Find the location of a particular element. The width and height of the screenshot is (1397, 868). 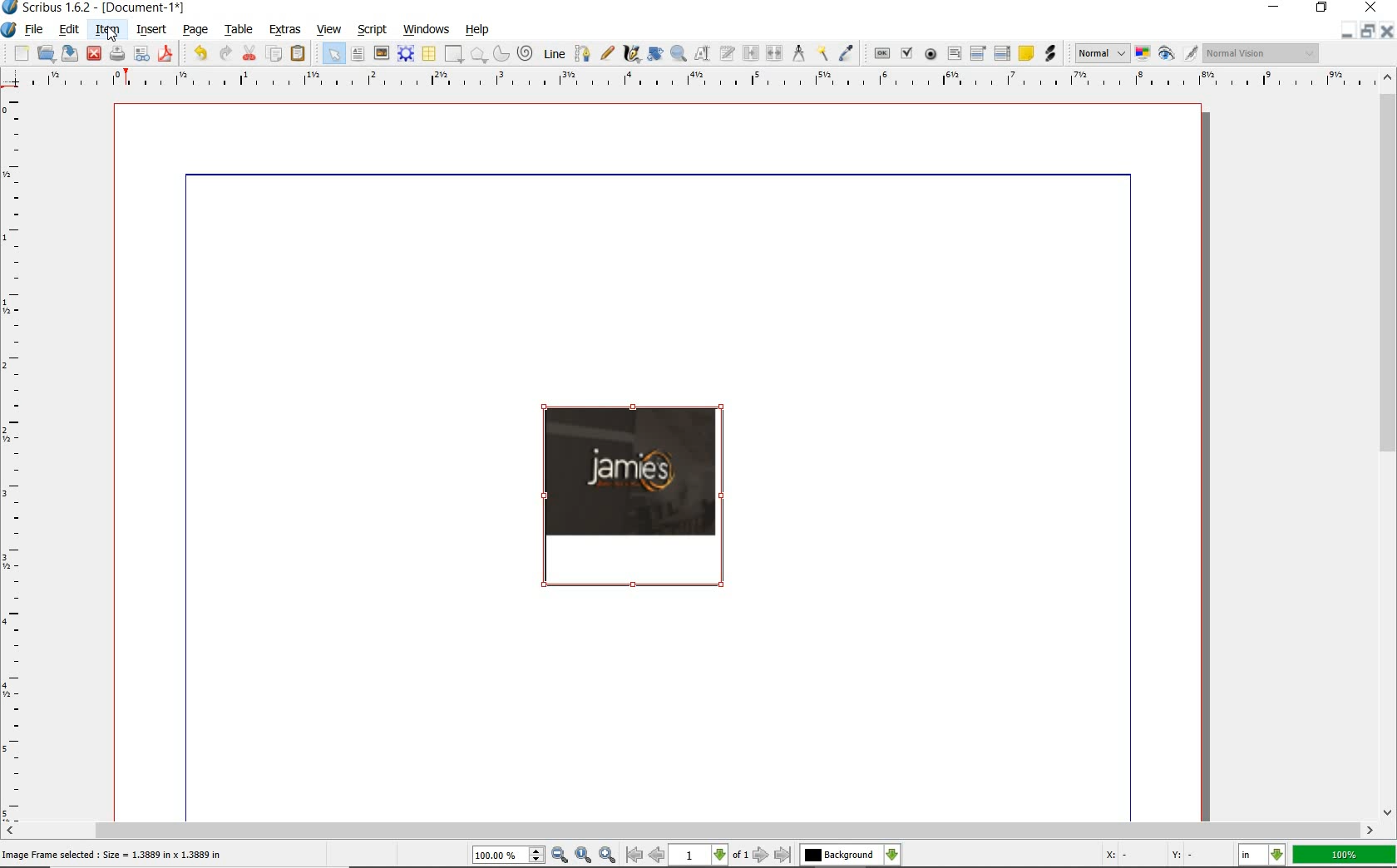

copy item properties is located at coordinates (822, 52).